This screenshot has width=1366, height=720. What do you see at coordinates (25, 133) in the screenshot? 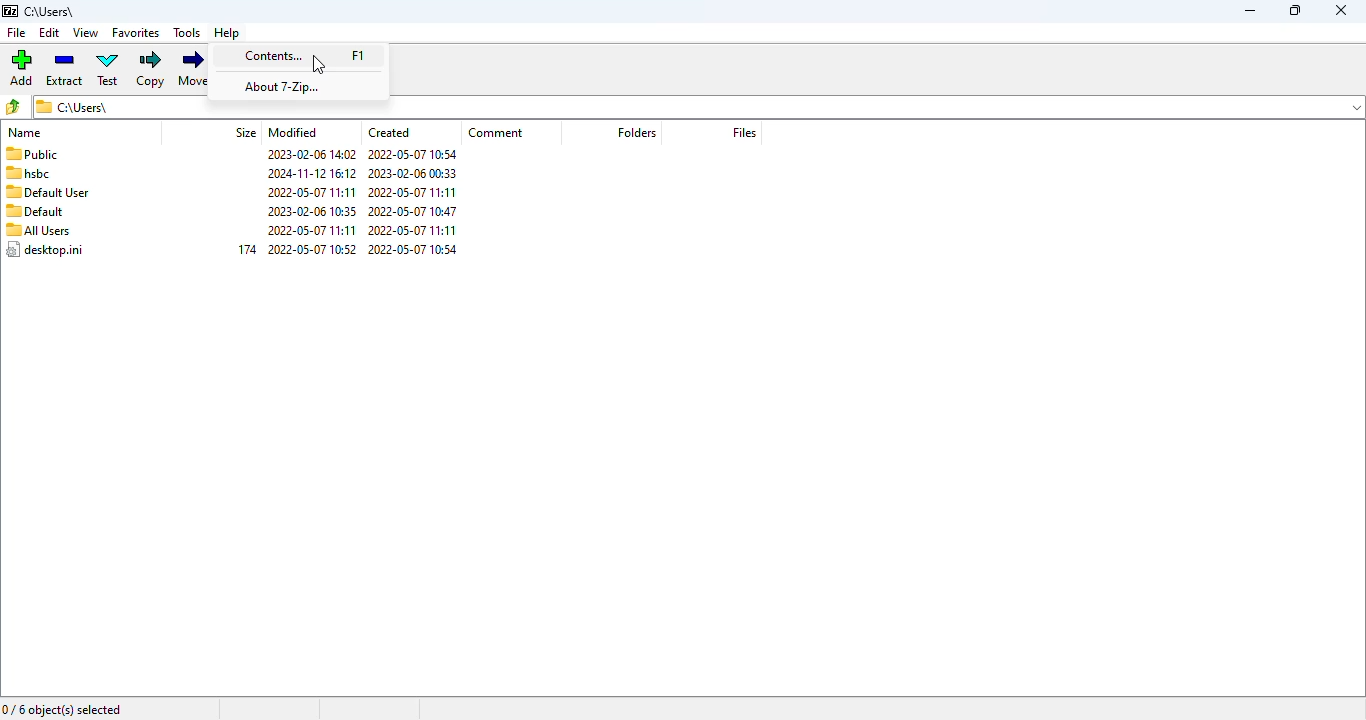
I see `name` at bounding box center [25, 133].